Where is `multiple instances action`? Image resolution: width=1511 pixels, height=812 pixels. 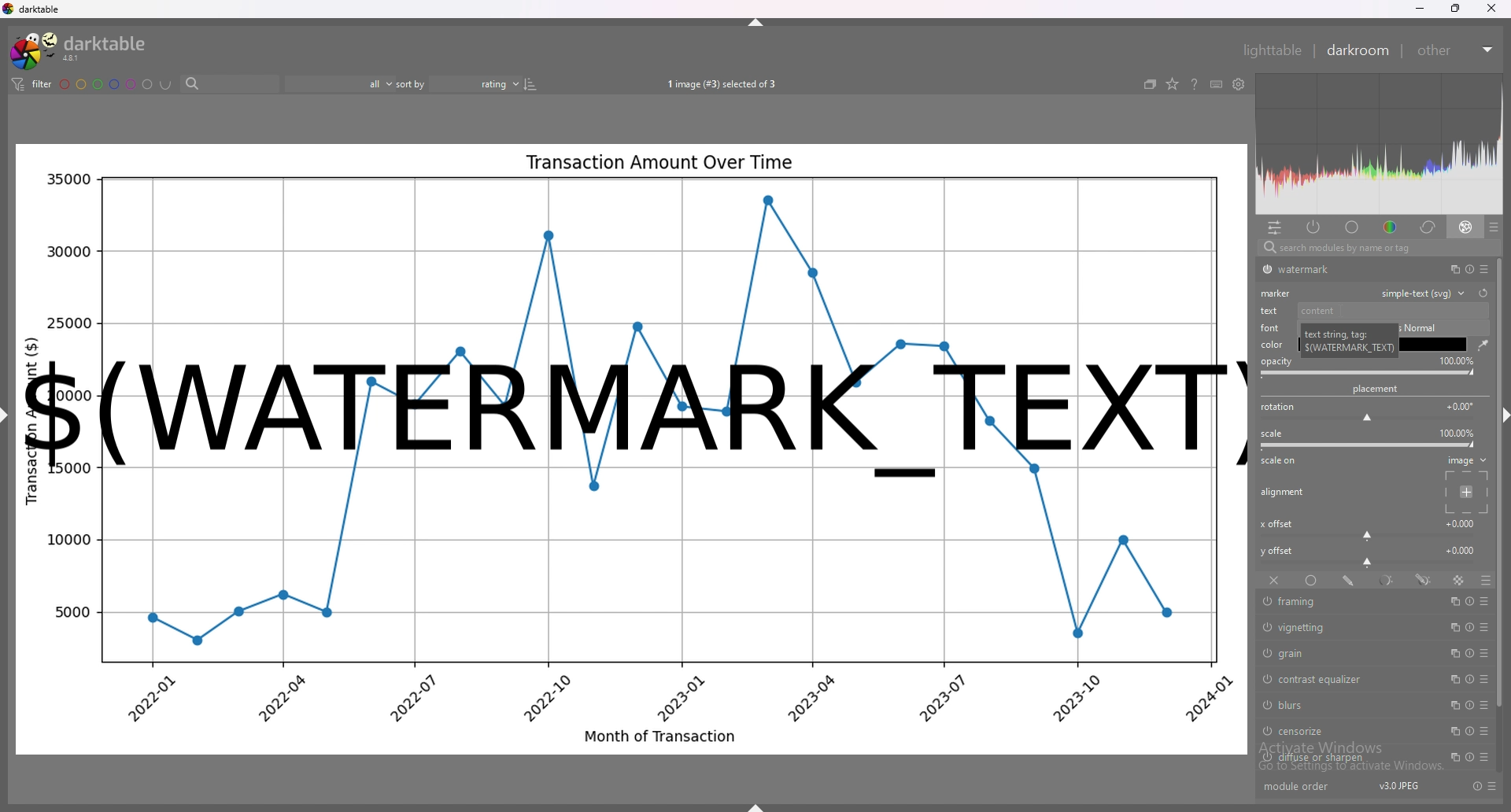
multiple instances action is located at coordinates (1450, 269).